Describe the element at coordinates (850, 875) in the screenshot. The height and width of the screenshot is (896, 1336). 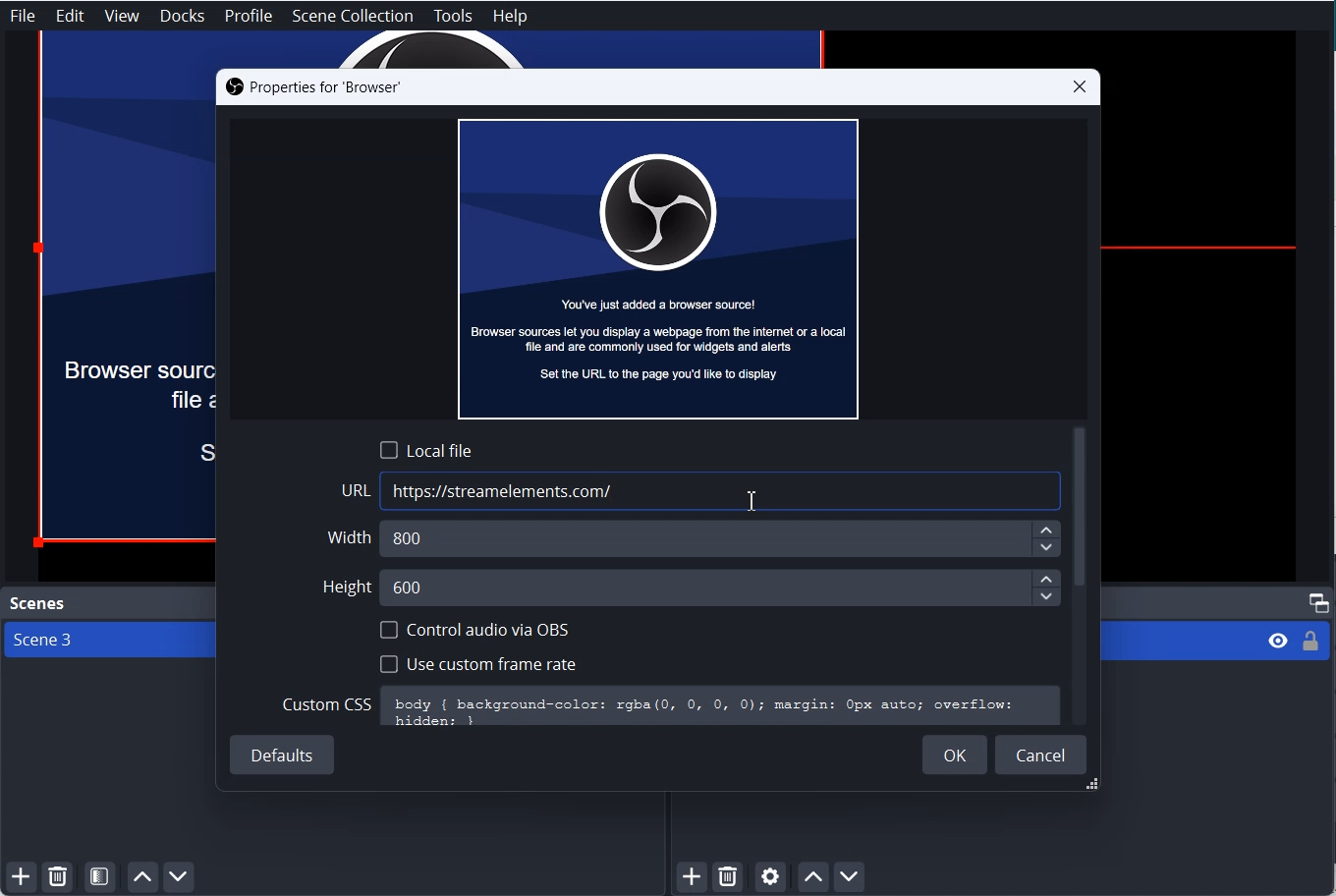
I see `Move Source Down` at that location.